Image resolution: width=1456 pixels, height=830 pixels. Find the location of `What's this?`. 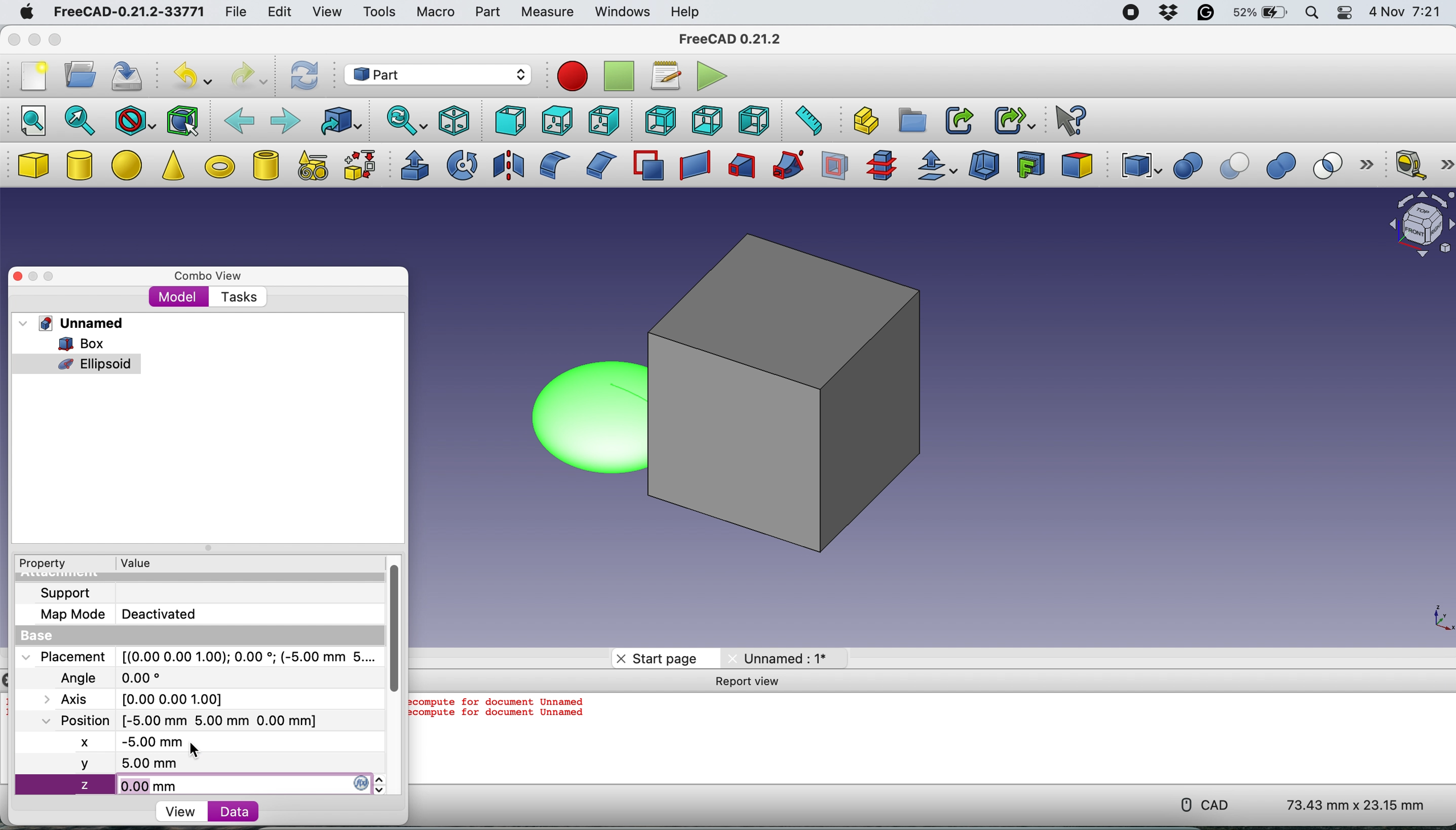

What's this? is located at coordinates (1068, 119).